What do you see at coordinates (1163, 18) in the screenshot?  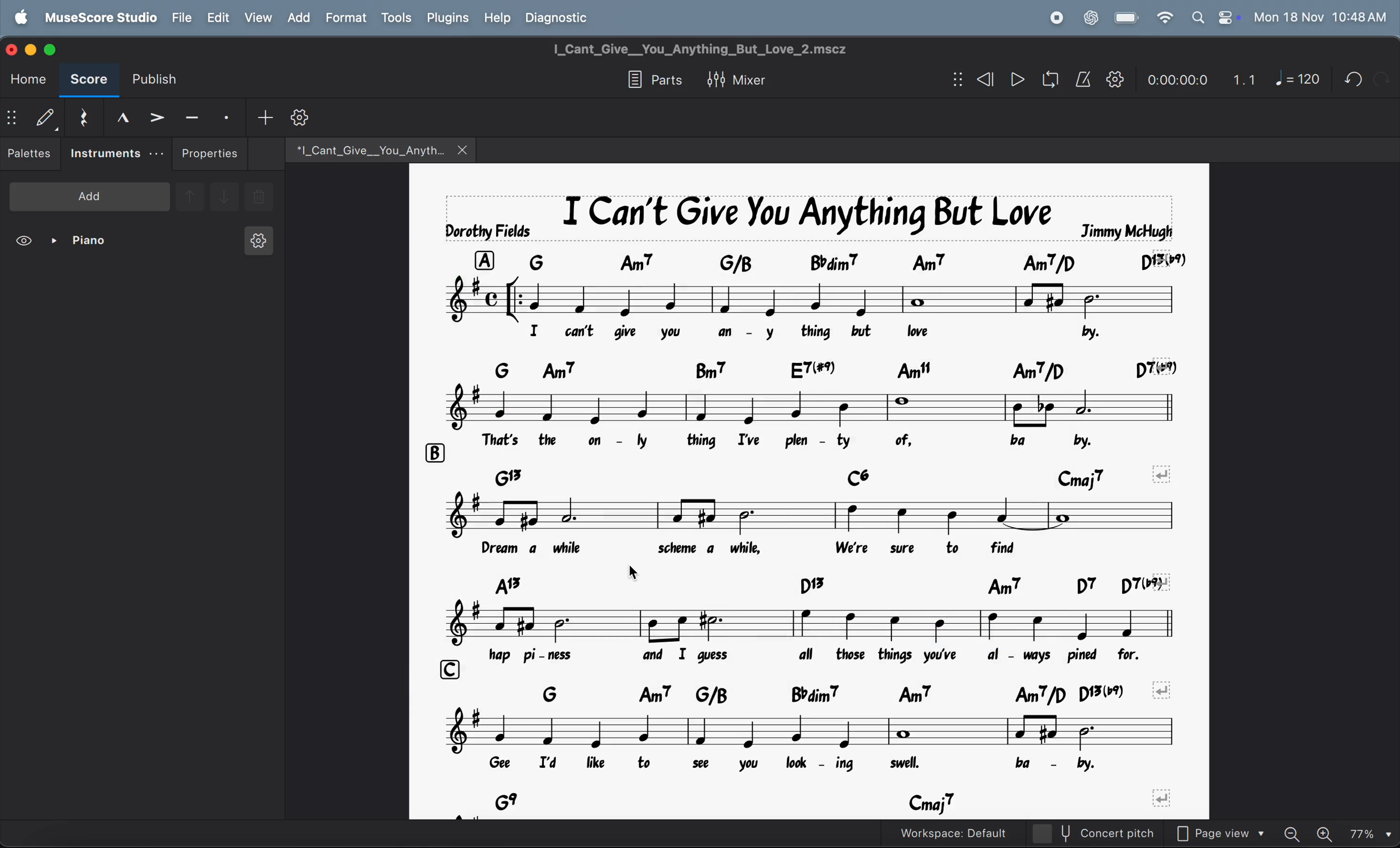 I see `wifi` at bounding box center [1163, 18].